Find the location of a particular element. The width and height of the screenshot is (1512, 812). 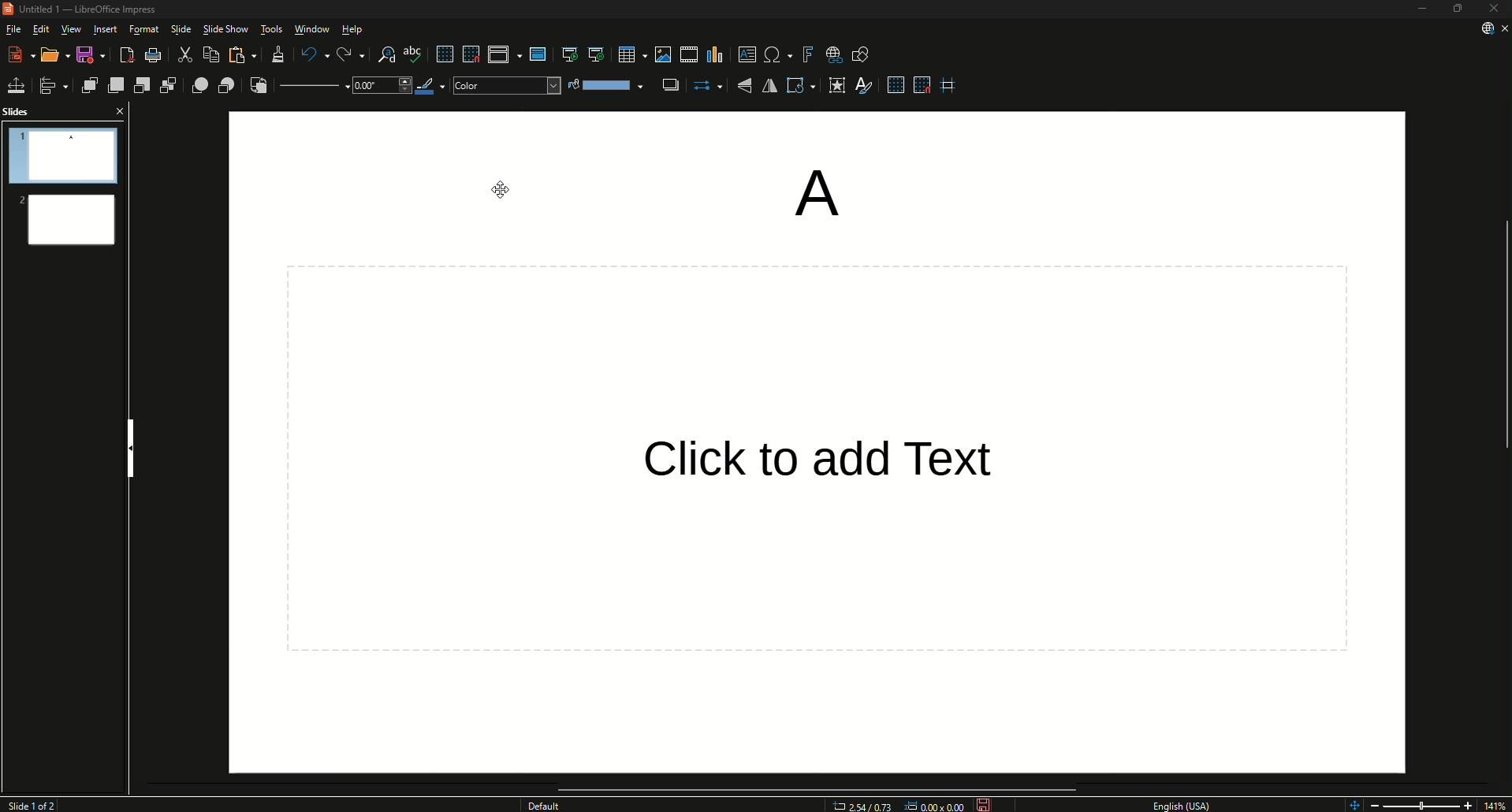

Insert Textbox is located at coordinates (744, 55).